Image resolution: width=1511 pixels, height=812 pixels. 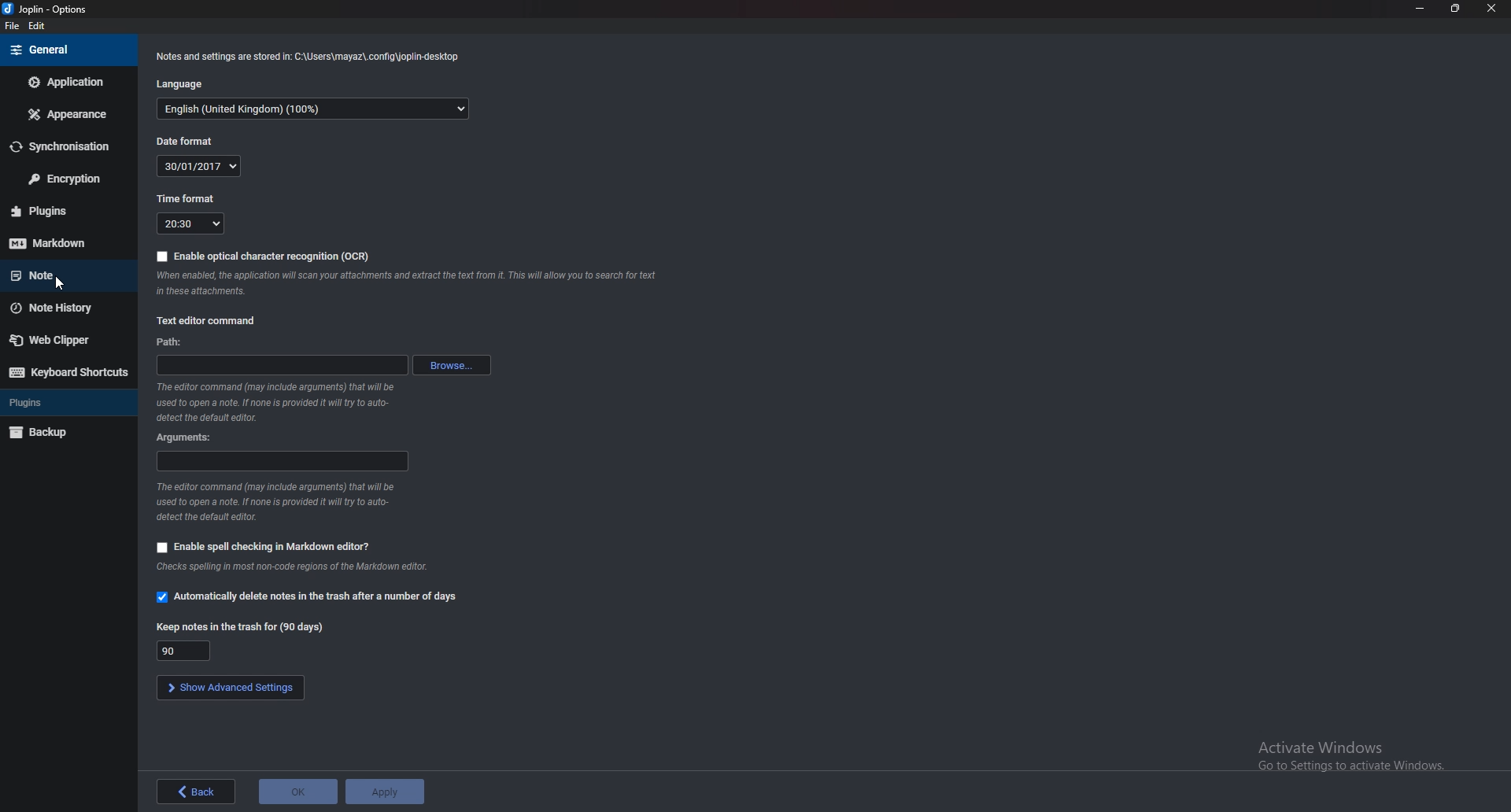 I want to click on Note history, so click(x=65, y=309).